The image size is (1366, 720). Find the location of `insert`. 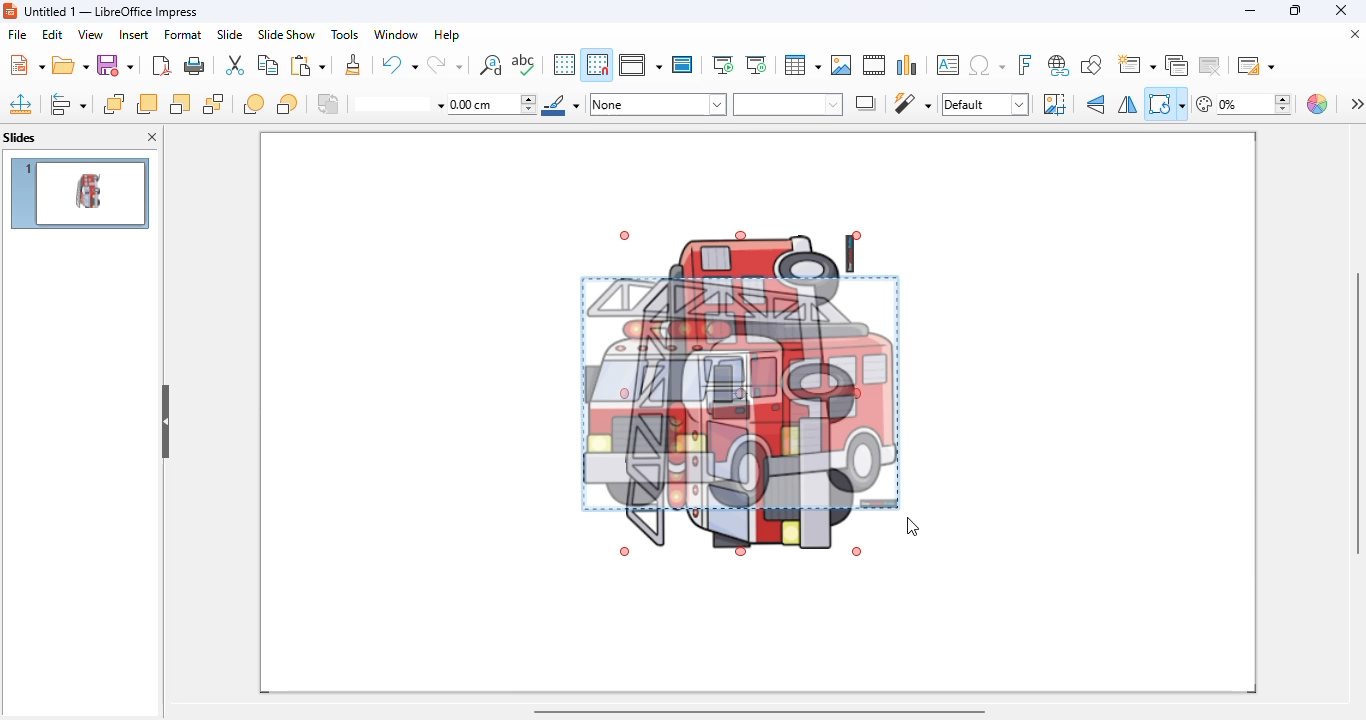

insert is located at coordinates (134, 35).